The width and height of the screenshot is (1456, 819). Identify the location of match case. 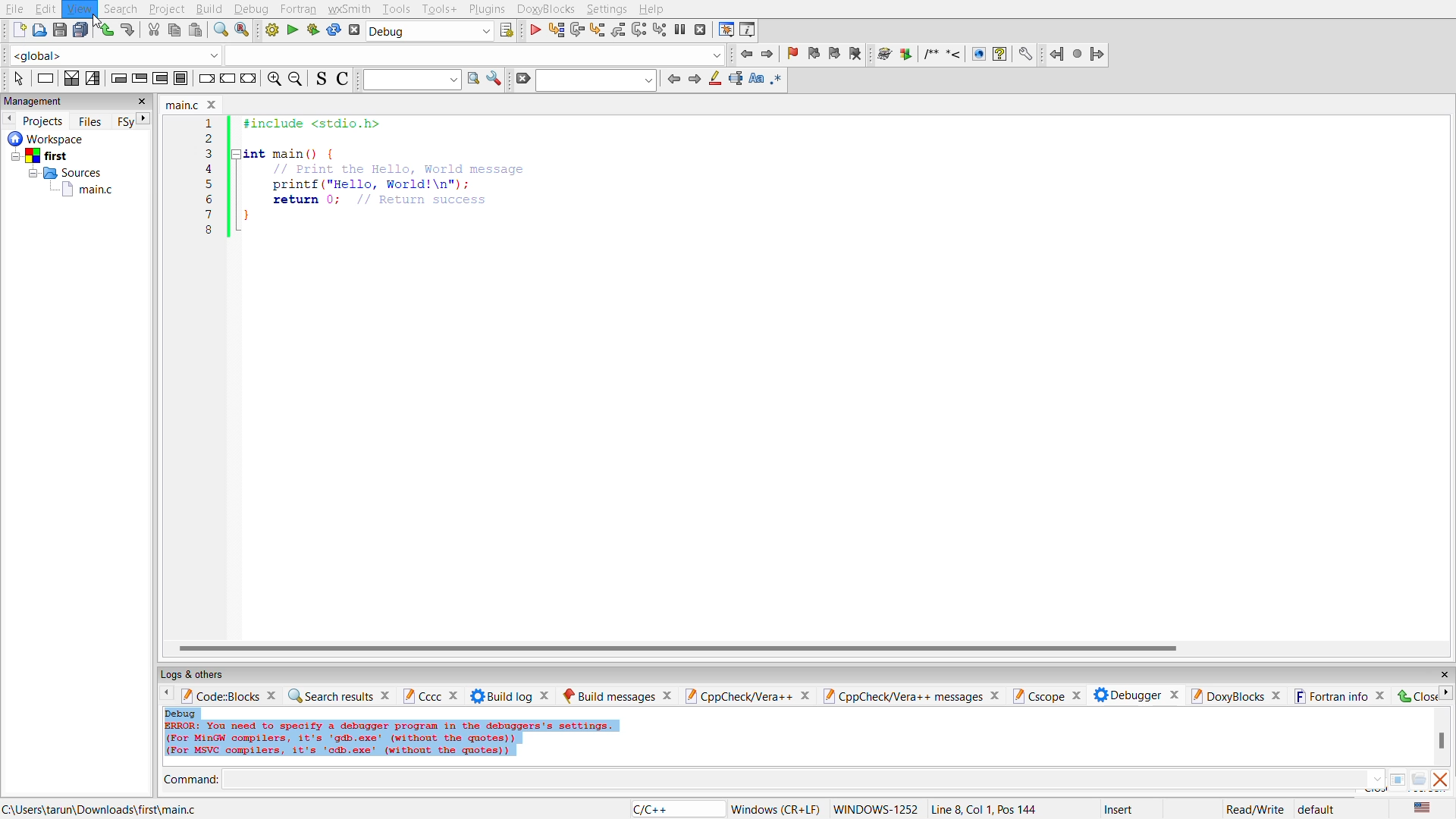
(759, 80).